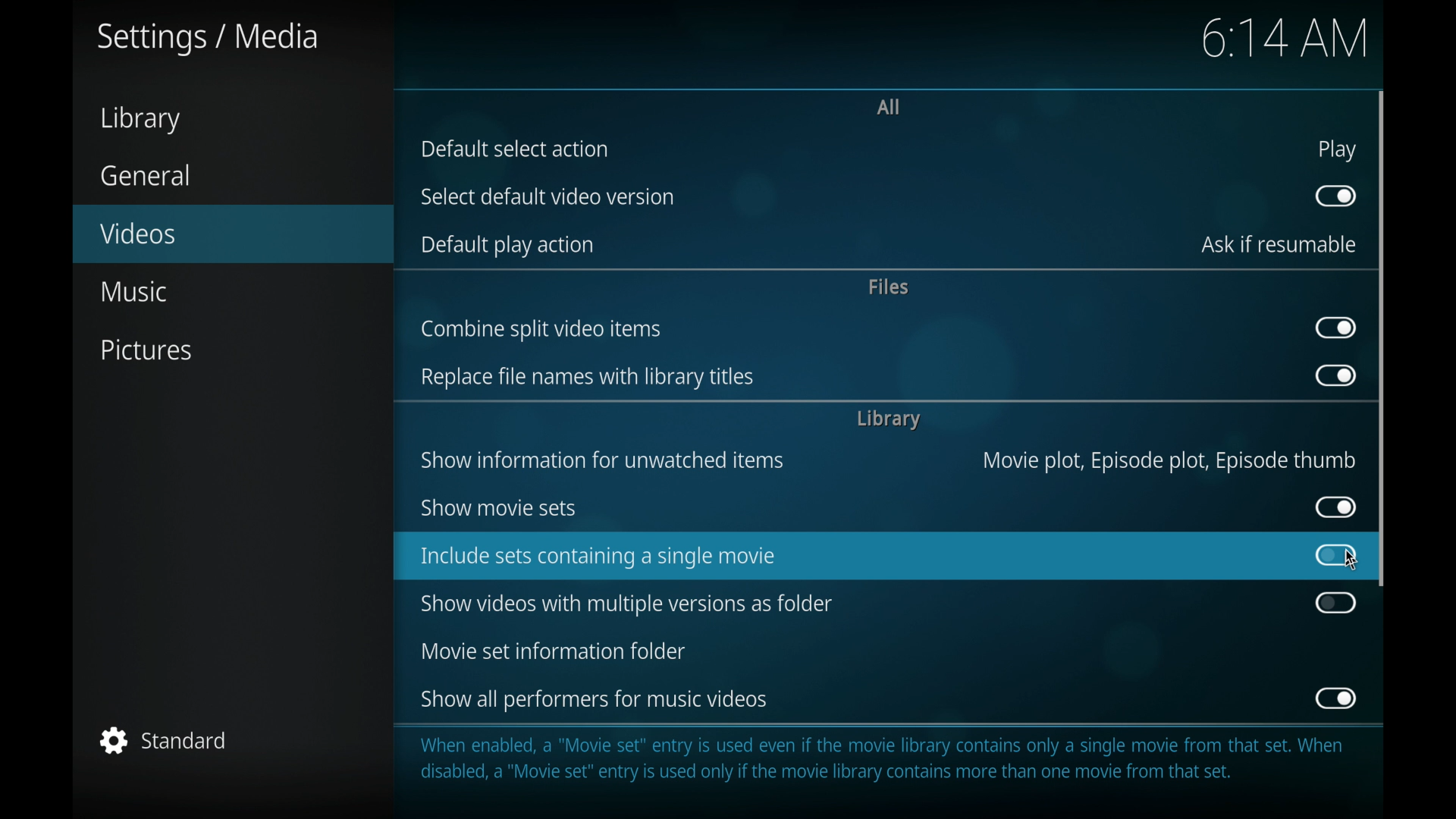 Image resolution: width=1456 pixels, height=819 pixels. Describe the element at coordinates (587, 377) in the screenshot. I see `replace file` at that location.